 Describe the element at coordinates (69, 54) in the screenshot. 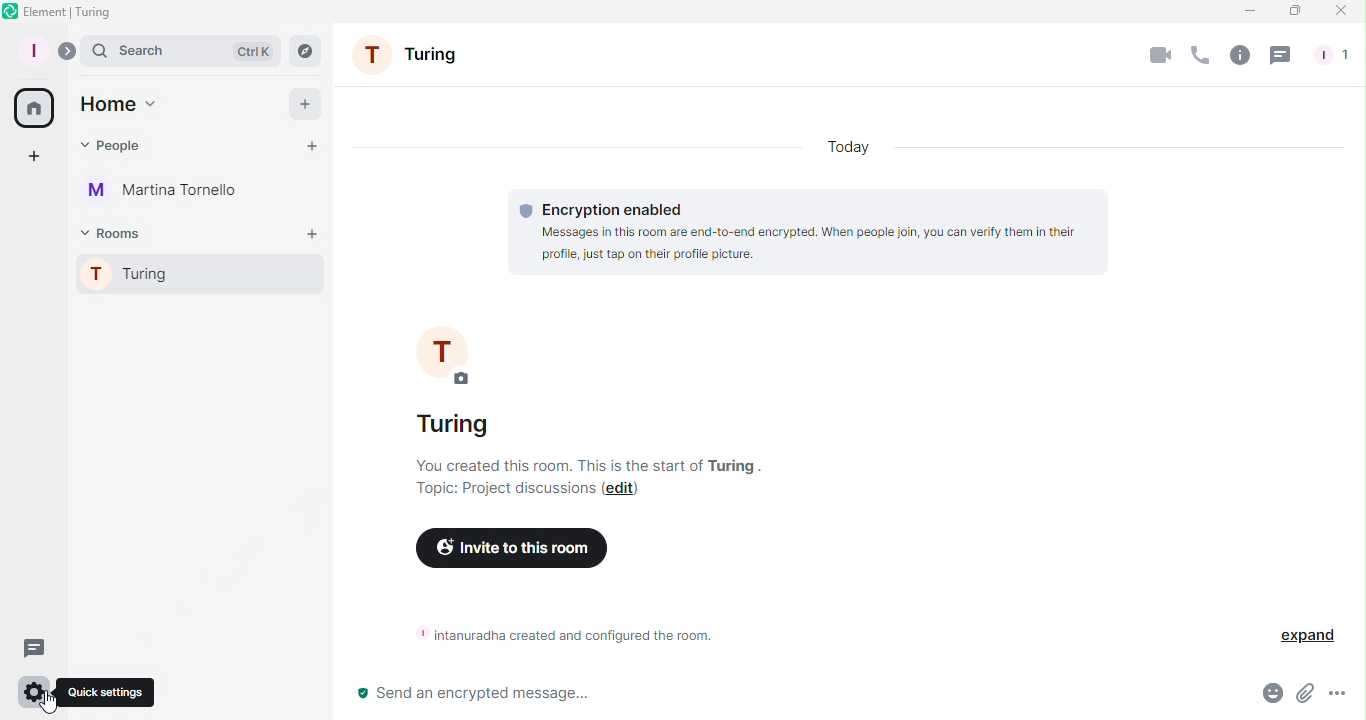

I see `Expand` at that location.